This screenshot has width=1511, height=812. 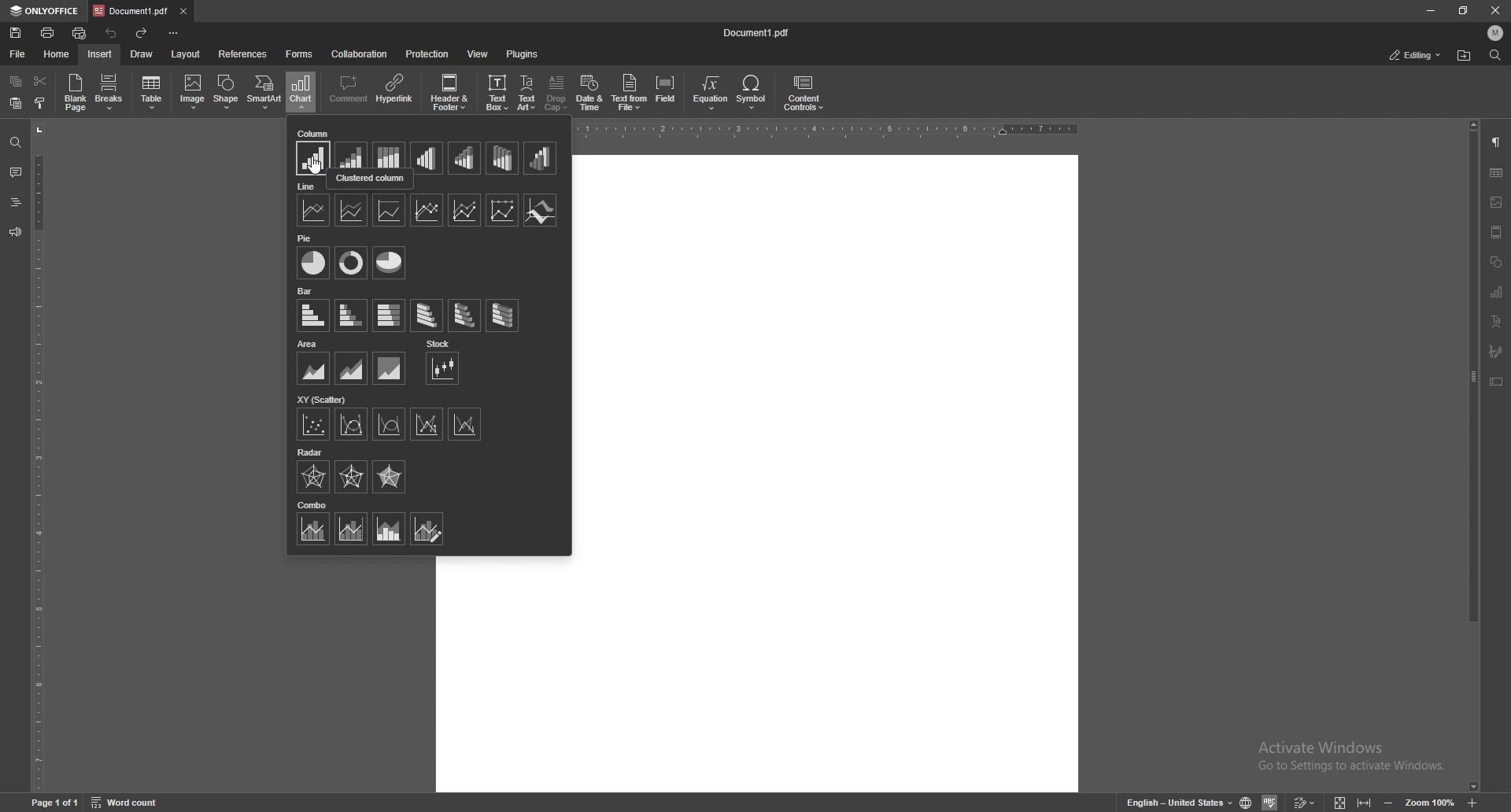 What do you see at coordinates (833, 129) in the screenshot?
I see `horizontal scale` at bounding box center [833, 129].